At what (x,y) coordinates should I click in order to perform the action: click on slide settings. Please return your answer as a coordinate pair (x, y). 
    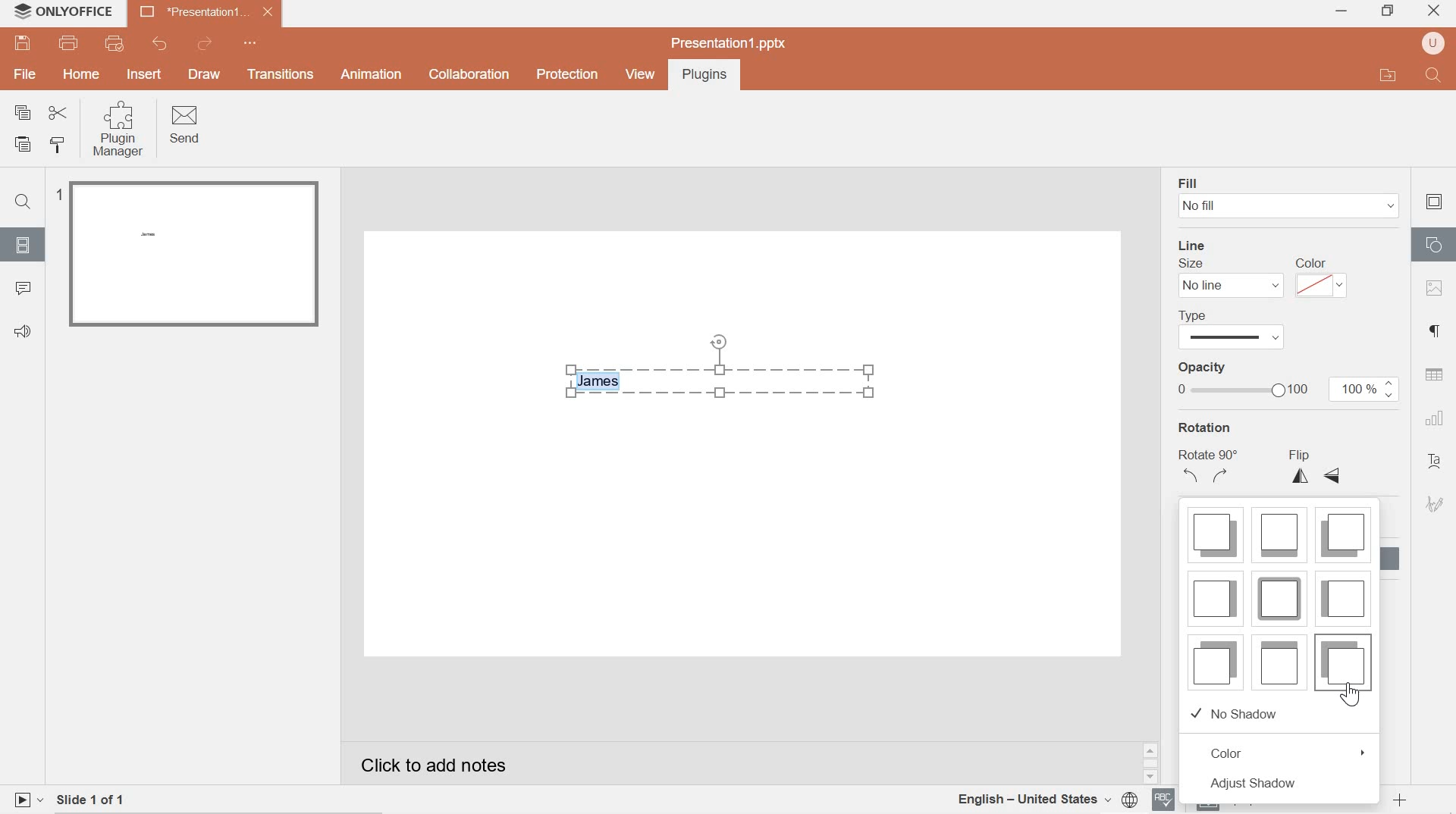
    Looking at the image, I should click on (1434, 202).